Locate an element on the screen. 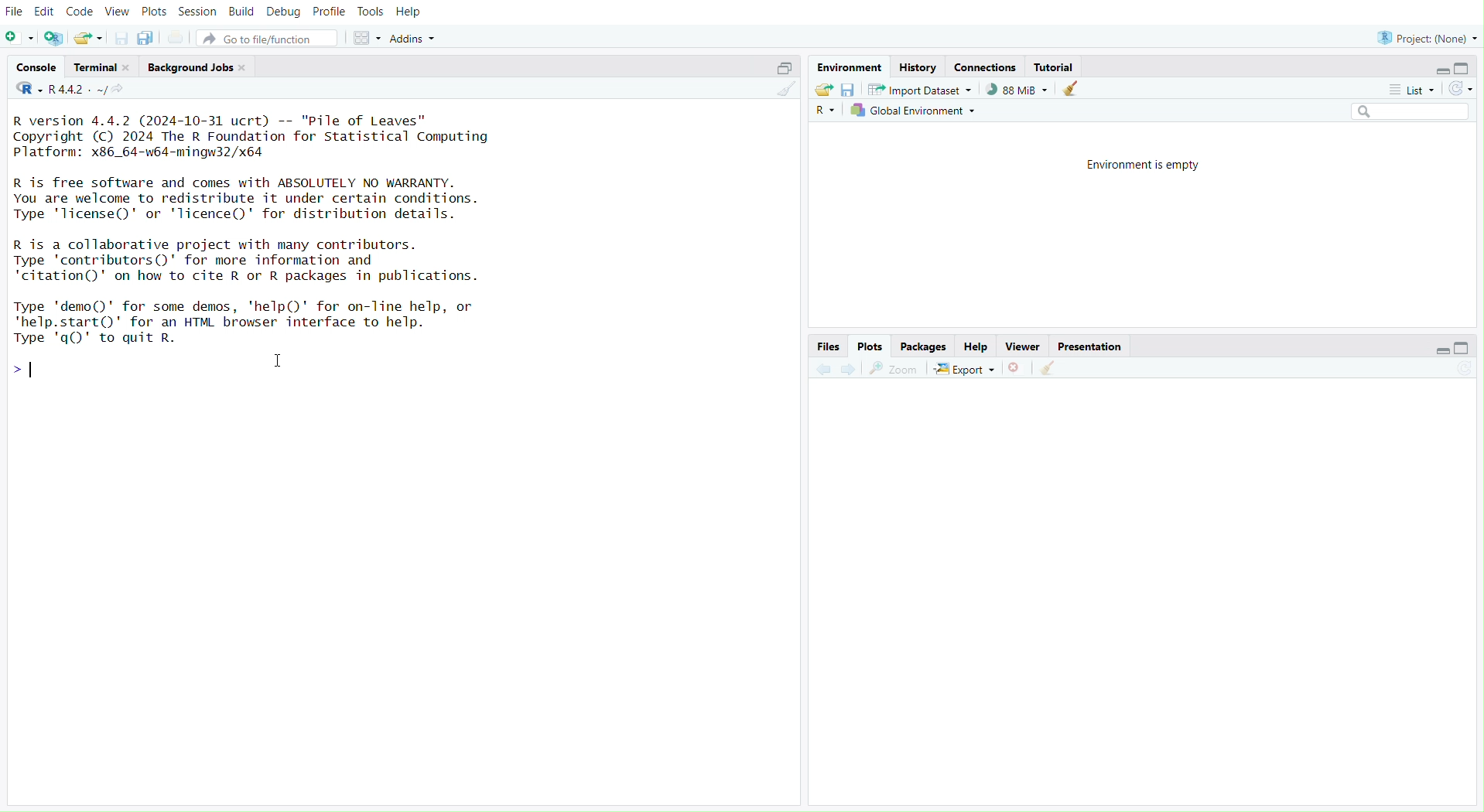 The height and width of the screenshot is (812, 1484). Debug is located at coordinates (283, 14).